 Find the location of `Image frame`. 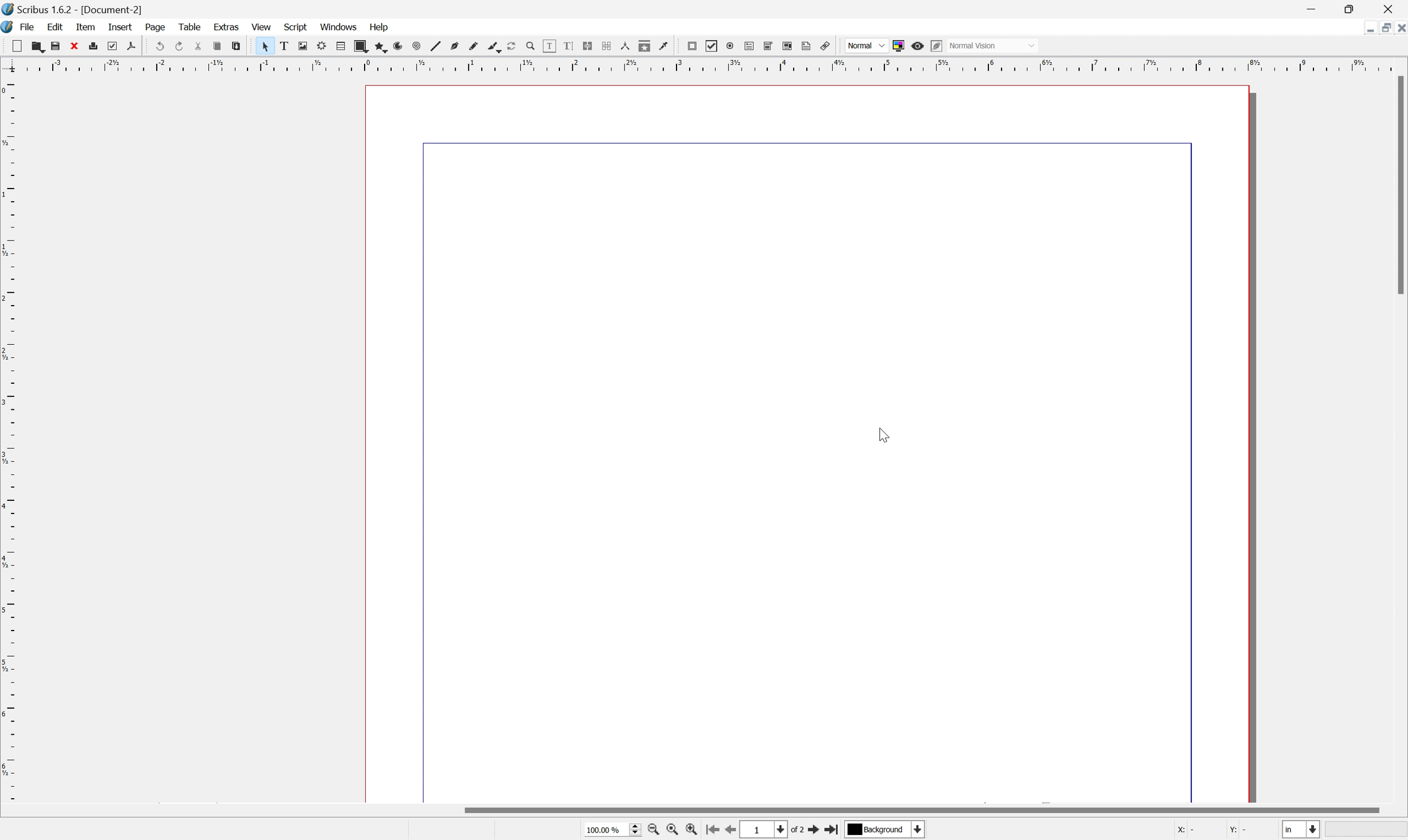

Image frame is located at coordinates (302, 46).